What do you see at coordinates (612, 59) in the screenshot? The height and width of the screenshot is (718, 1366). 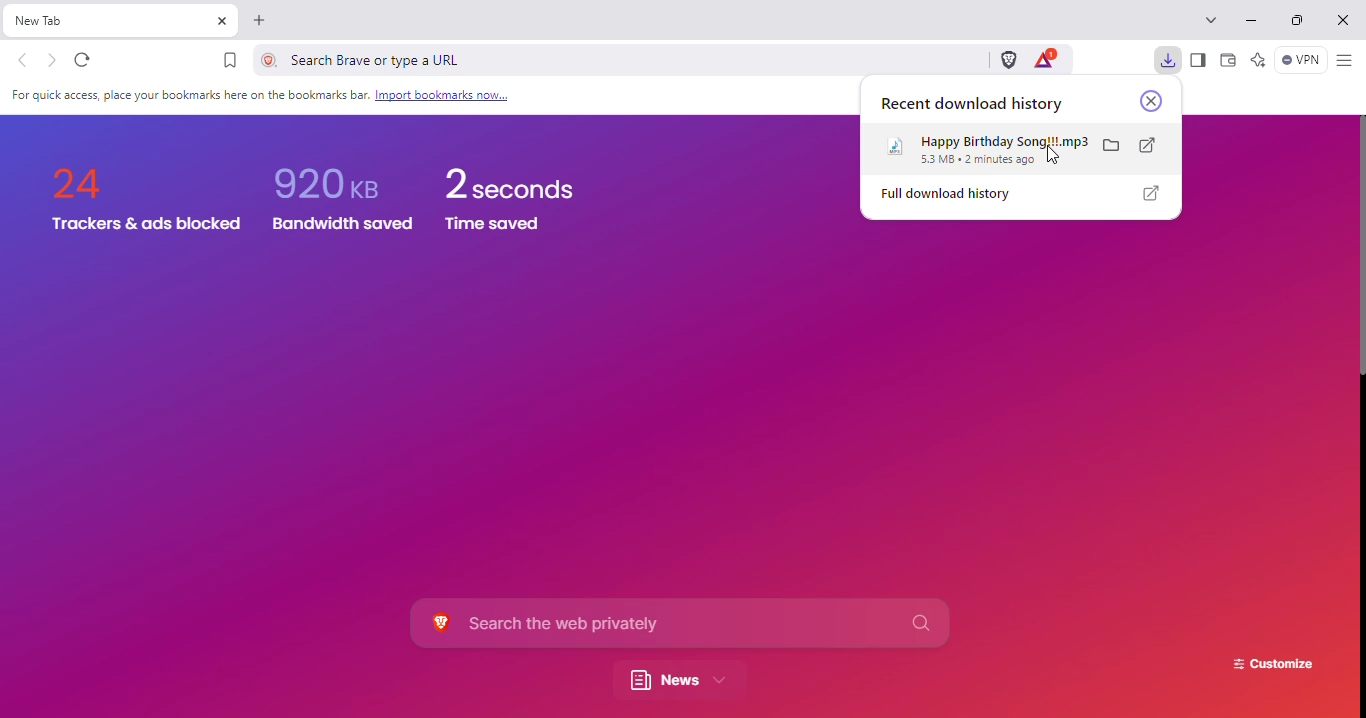 I see `search brave or type a URL` at bounding box center [612, 59].